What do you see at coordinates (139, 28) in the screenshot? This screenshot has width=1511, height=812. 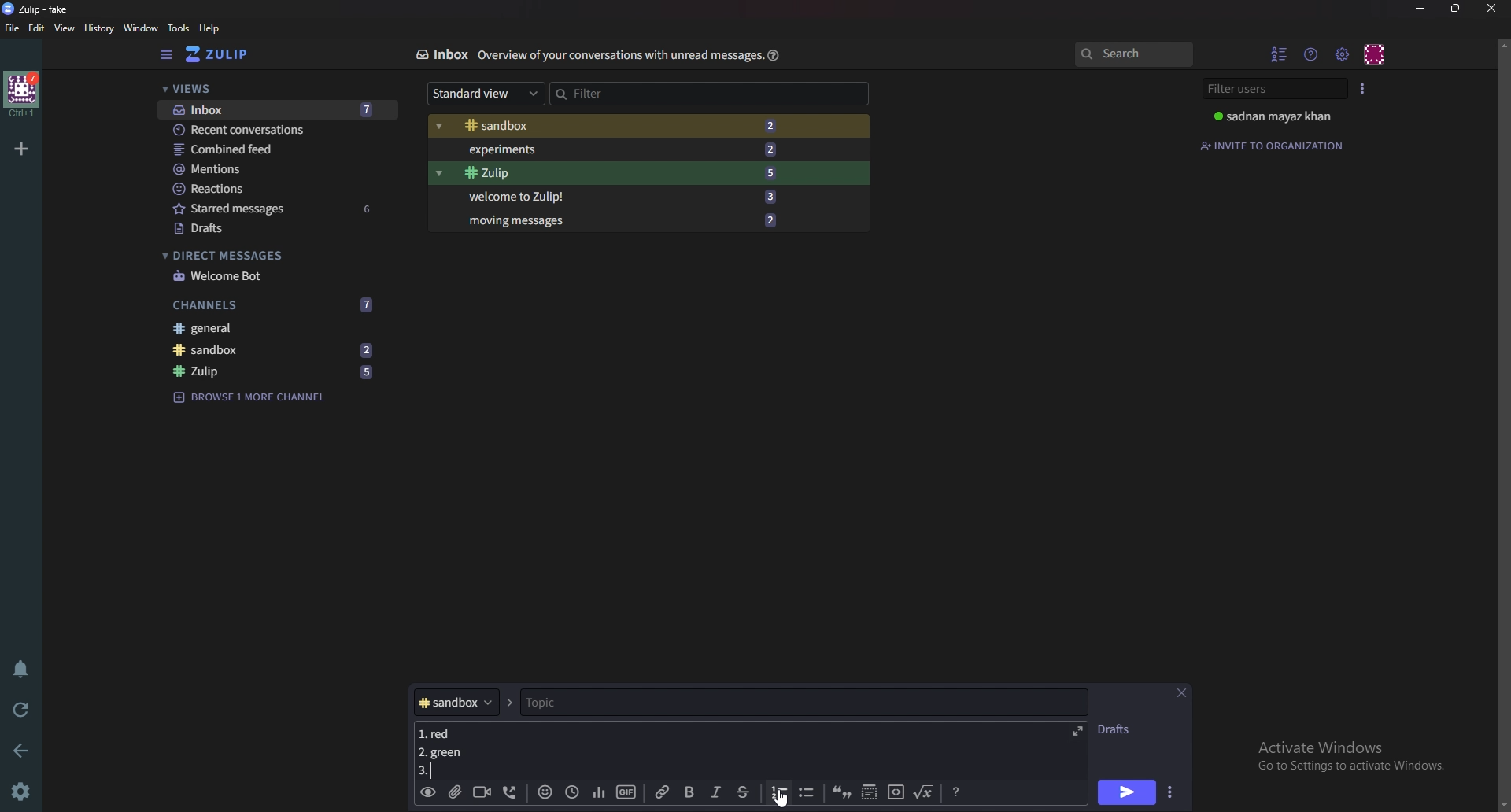 I see `Window` at bounding box center [139, 28].